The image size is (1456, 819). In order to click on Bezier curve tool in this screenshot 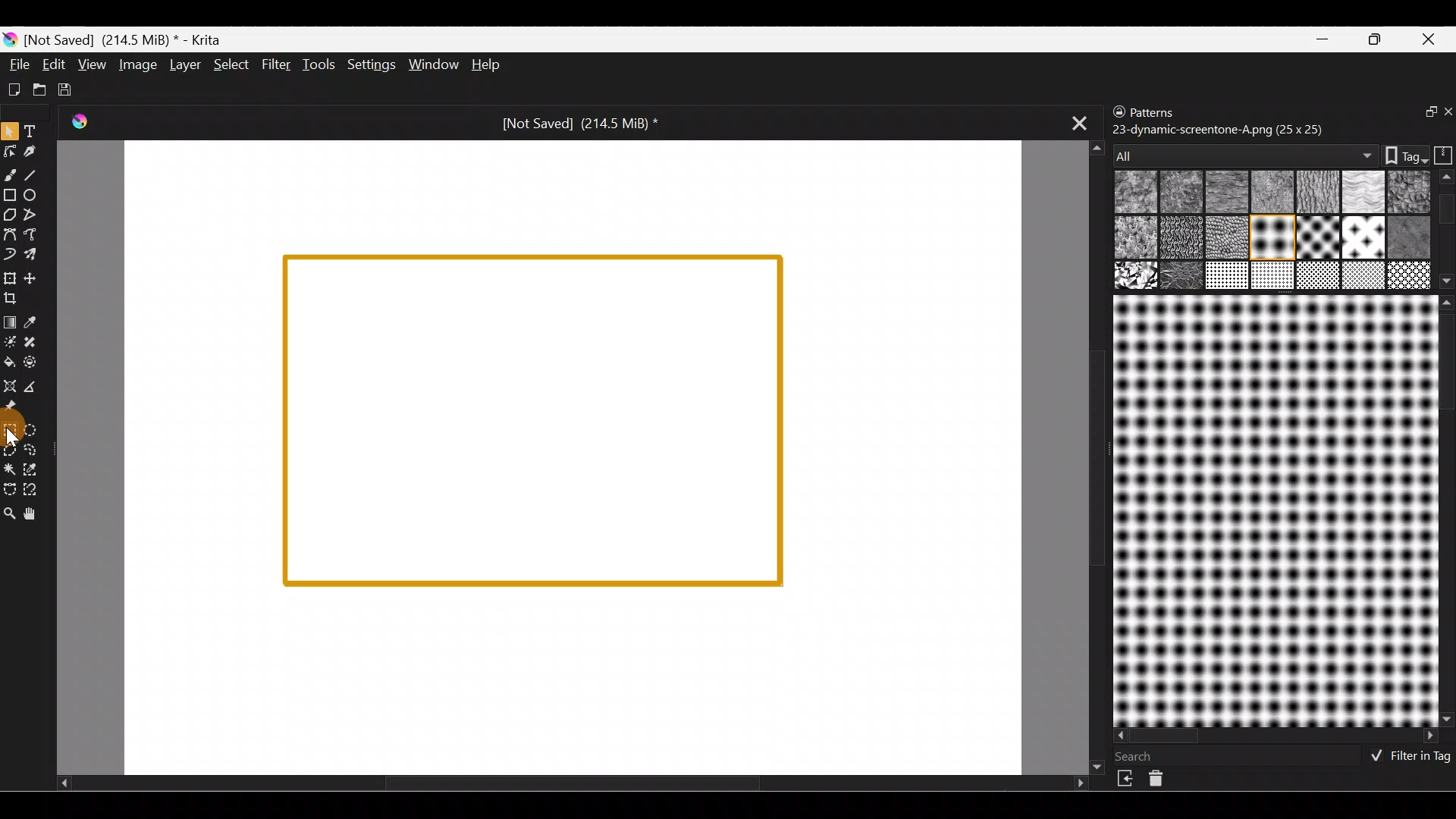, I will do `click(9, 236)`.